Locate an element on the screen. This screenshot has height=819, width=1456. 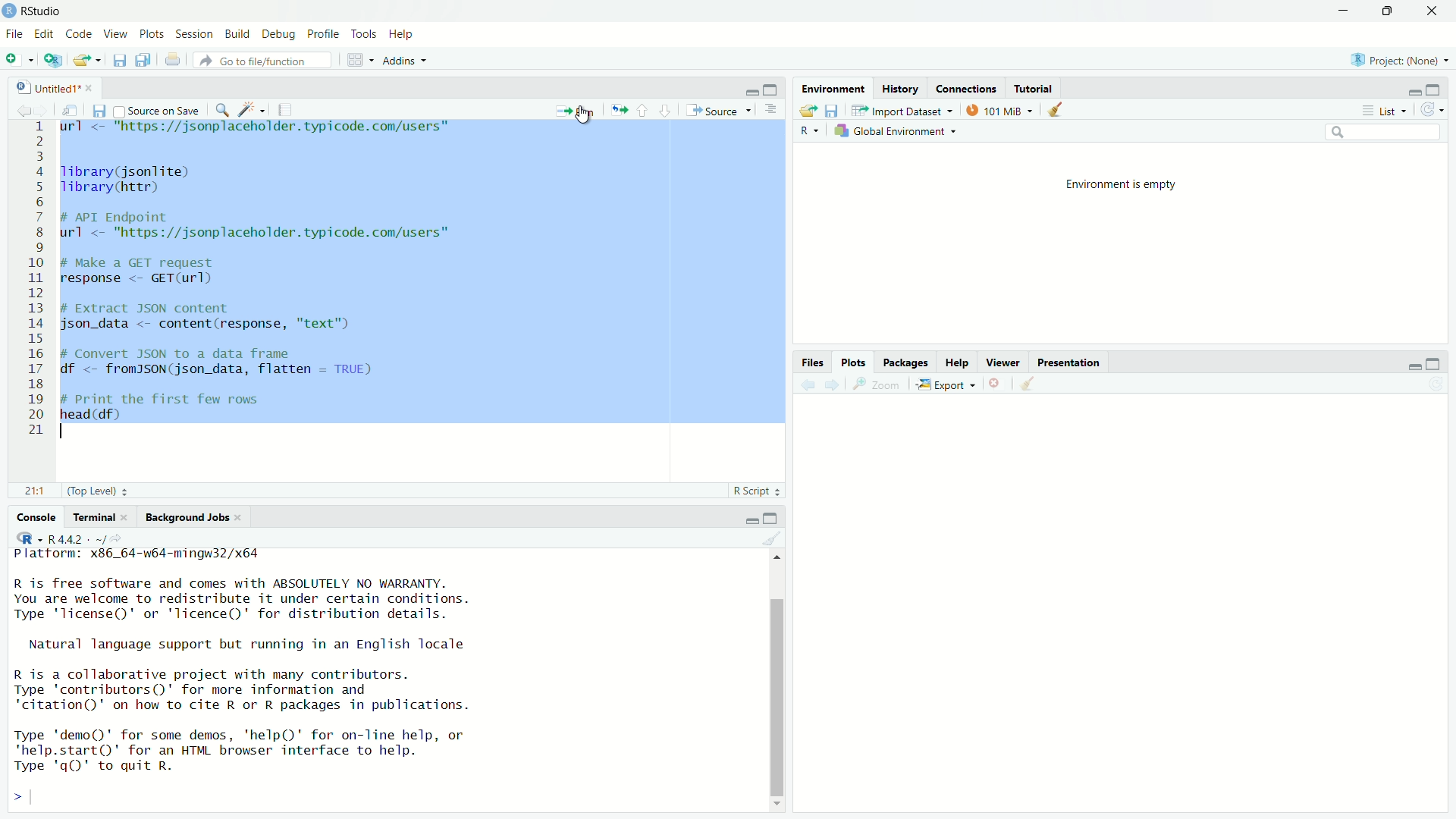
Minimize is located at coordinates (1410, 91).